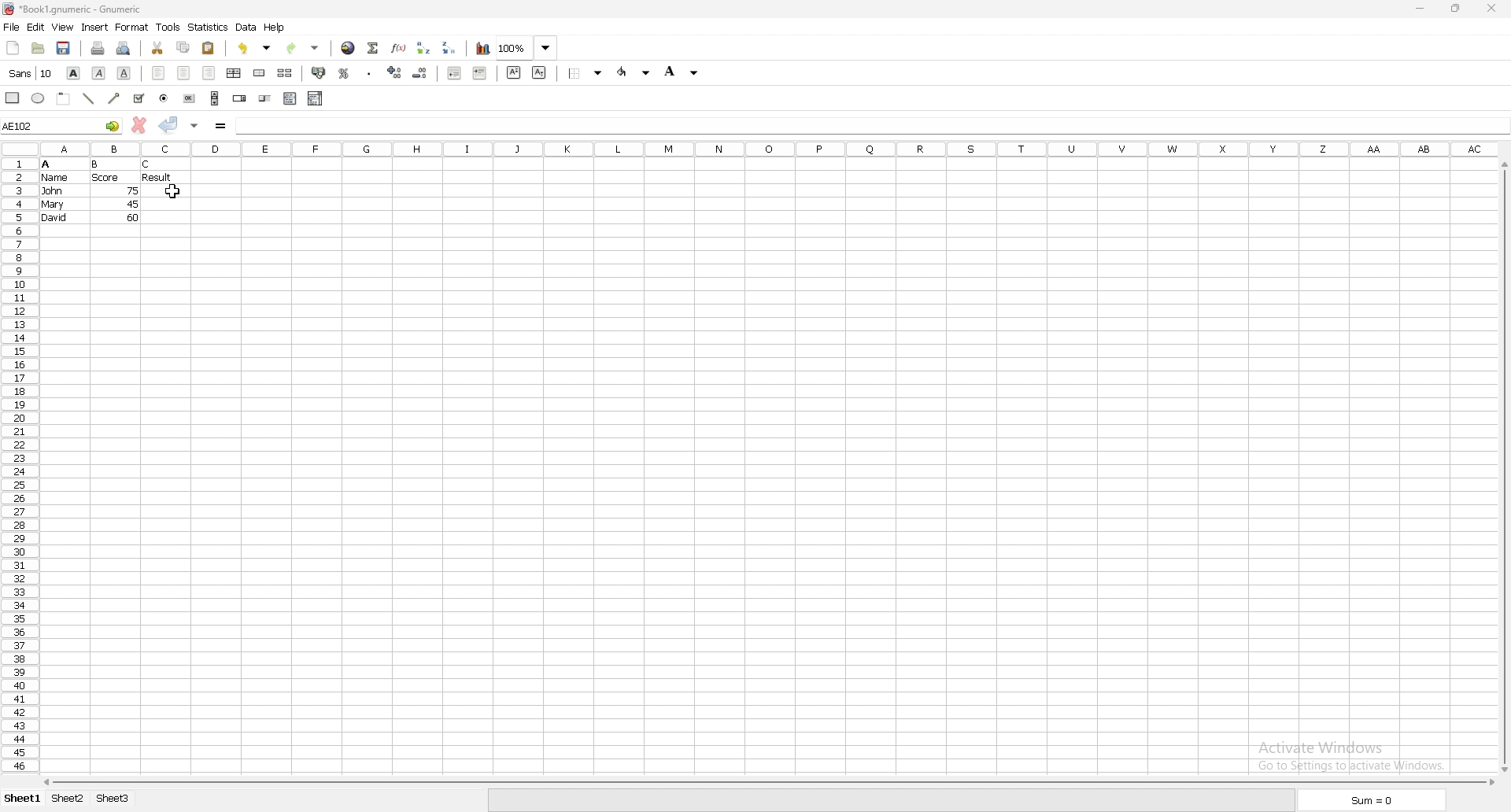  Describe the element at coordinates (35, 28) in the screenshot. I see `edit` at that location.